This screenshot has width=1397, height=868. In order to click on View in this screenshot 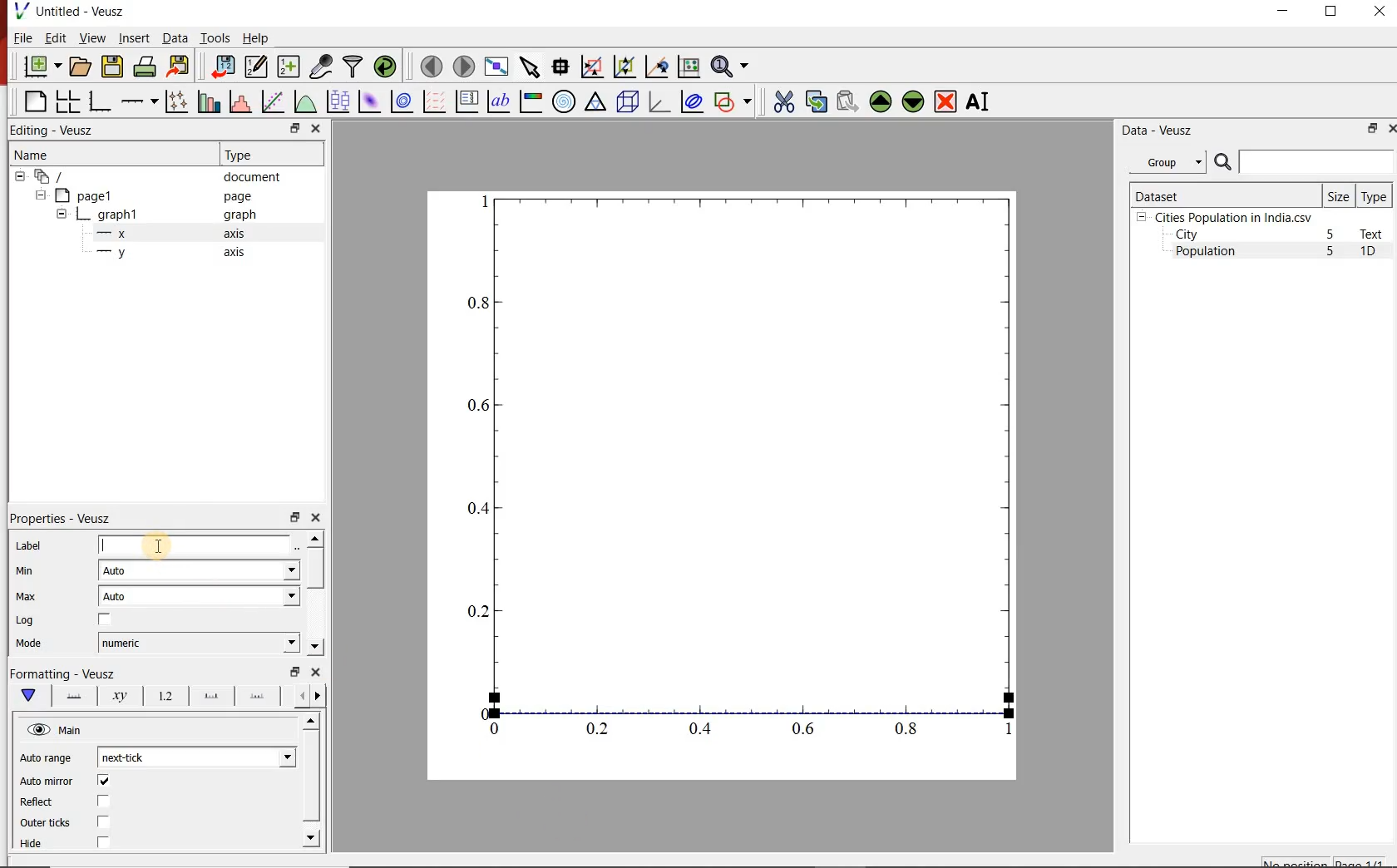, I will do `click(89, 37)`.